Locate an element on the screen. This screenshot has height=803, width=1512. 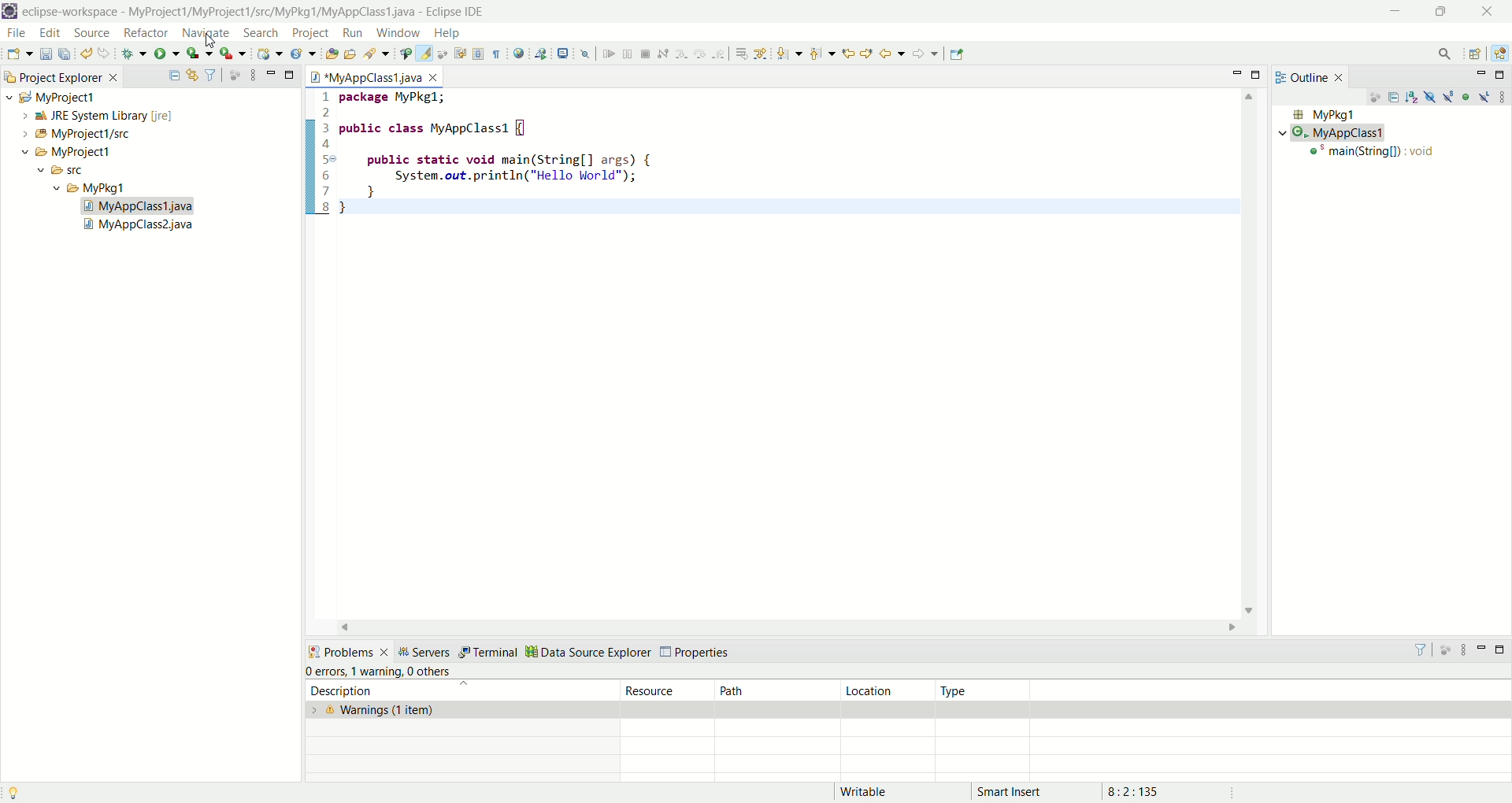
java EE is located at coordinates (1502, 52).